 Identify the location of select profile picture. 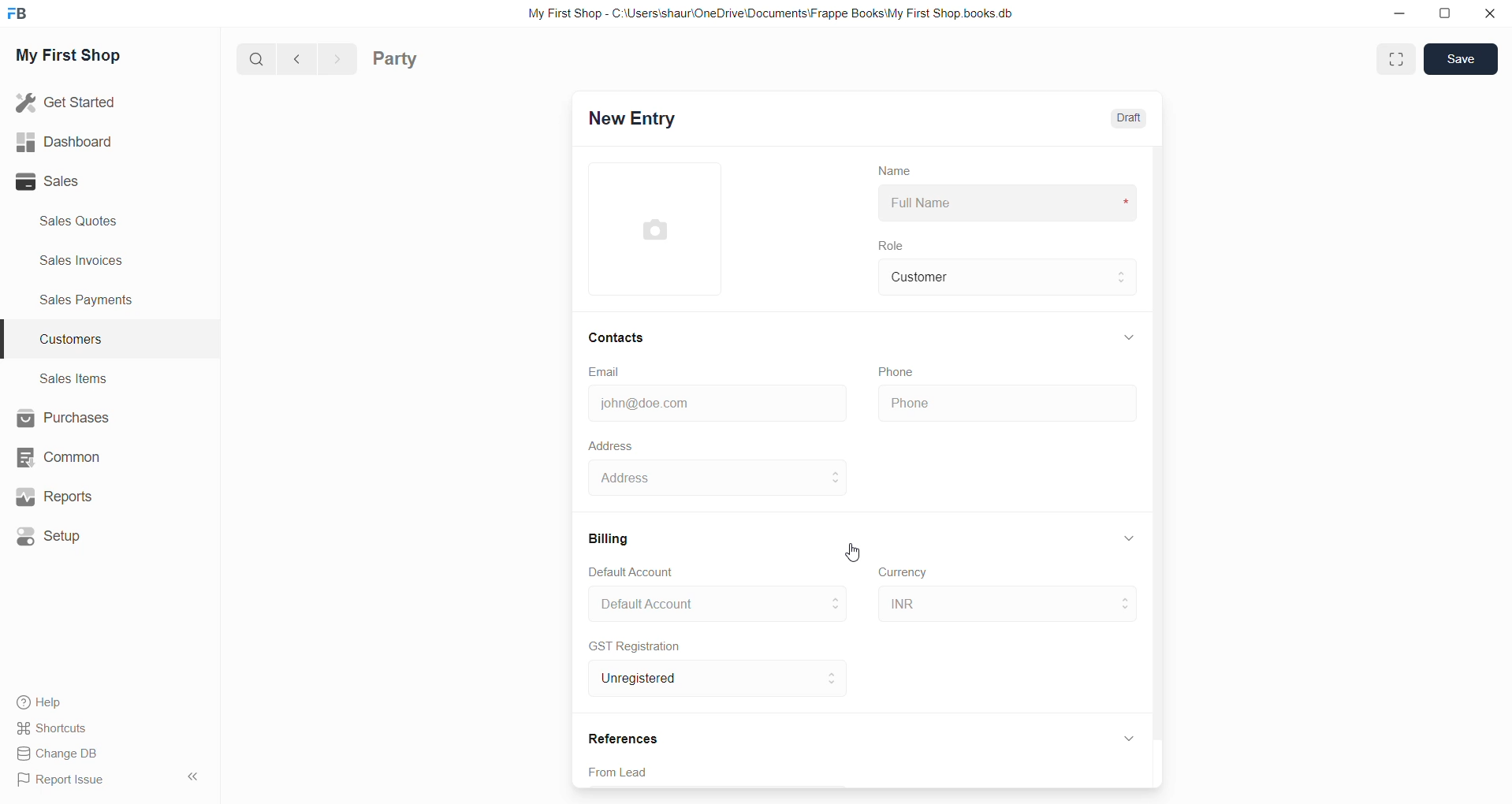
(662, 229).